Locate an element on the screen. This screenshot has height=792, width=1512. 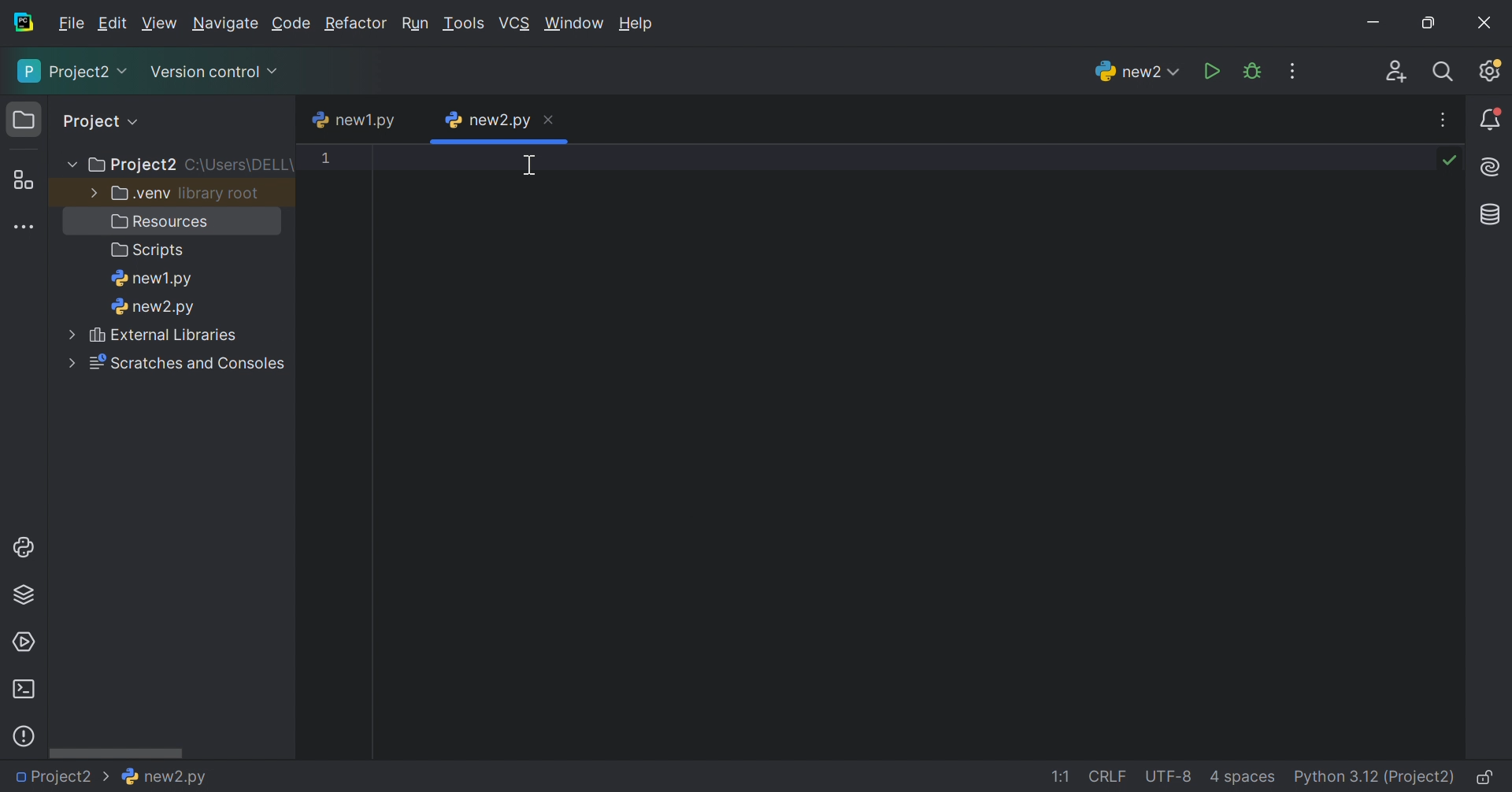
new1.py is located at coordinates (154, 281).